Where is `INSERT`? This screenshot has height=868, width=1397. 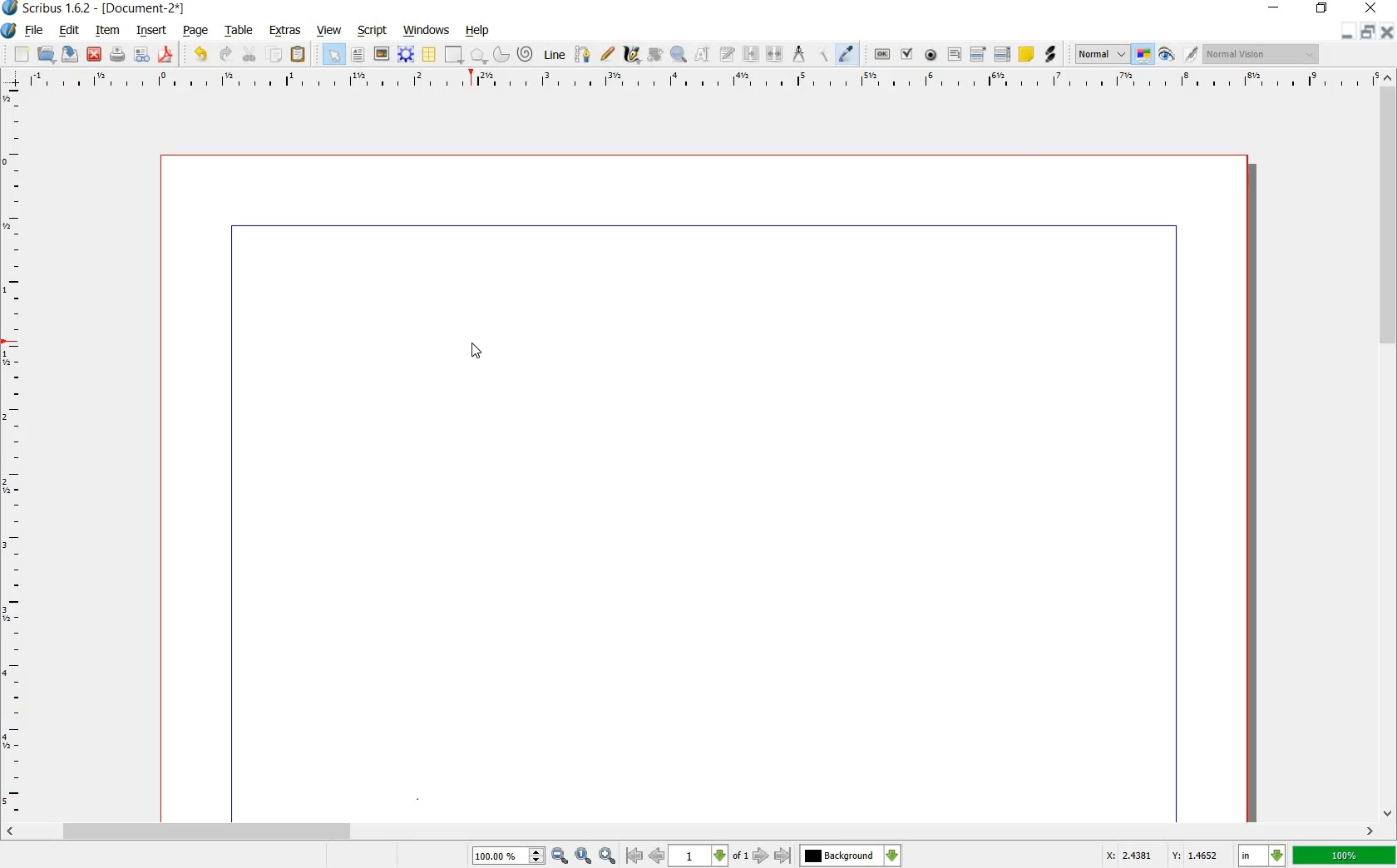
INSERT is located at coordinates (151, 31).